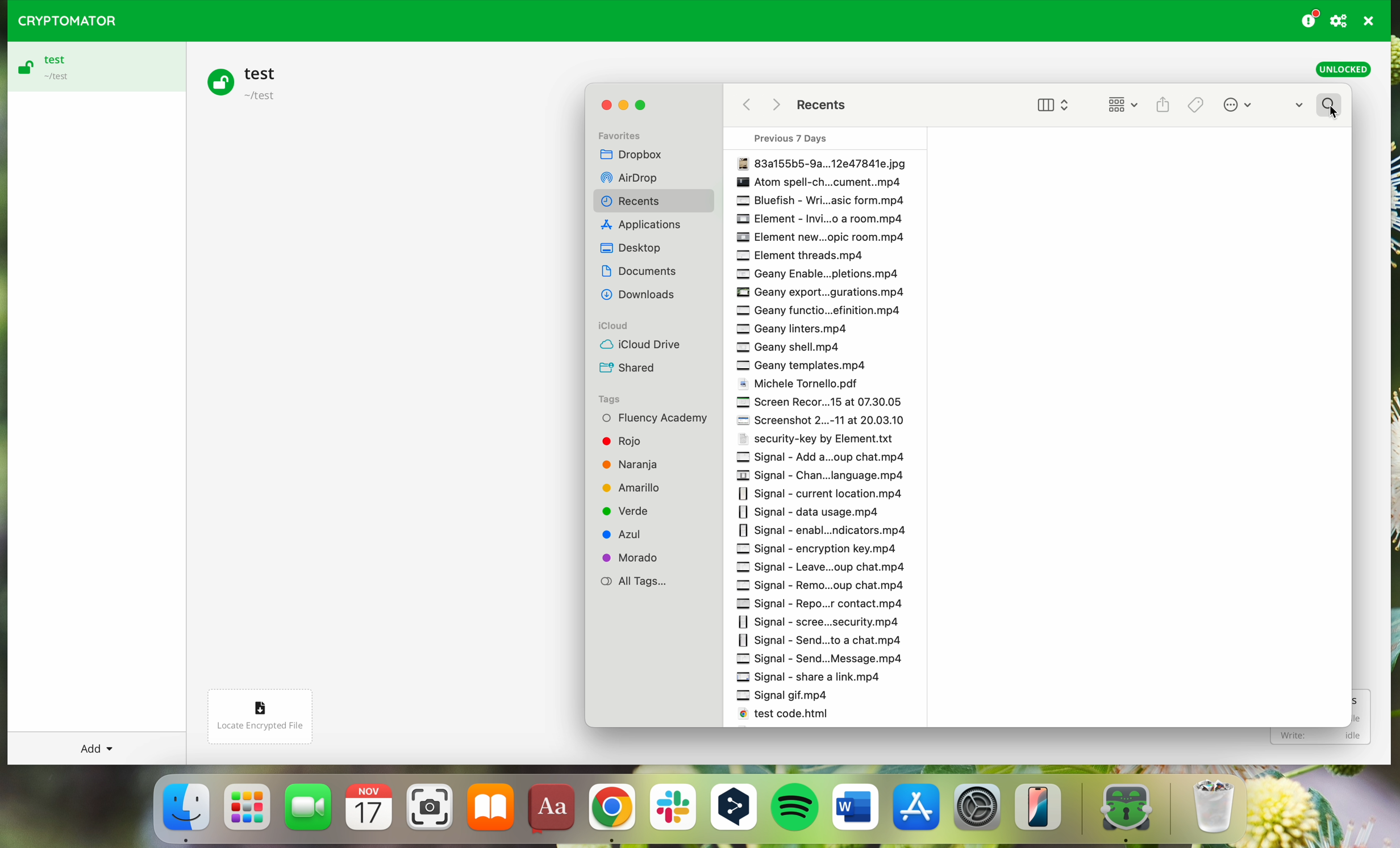 The height and width of the screenshot is (848, 1400). What do you see at coordinates (1369, 21) in the screenshot?
I see `quit program` at bounding box center [1369, 21].